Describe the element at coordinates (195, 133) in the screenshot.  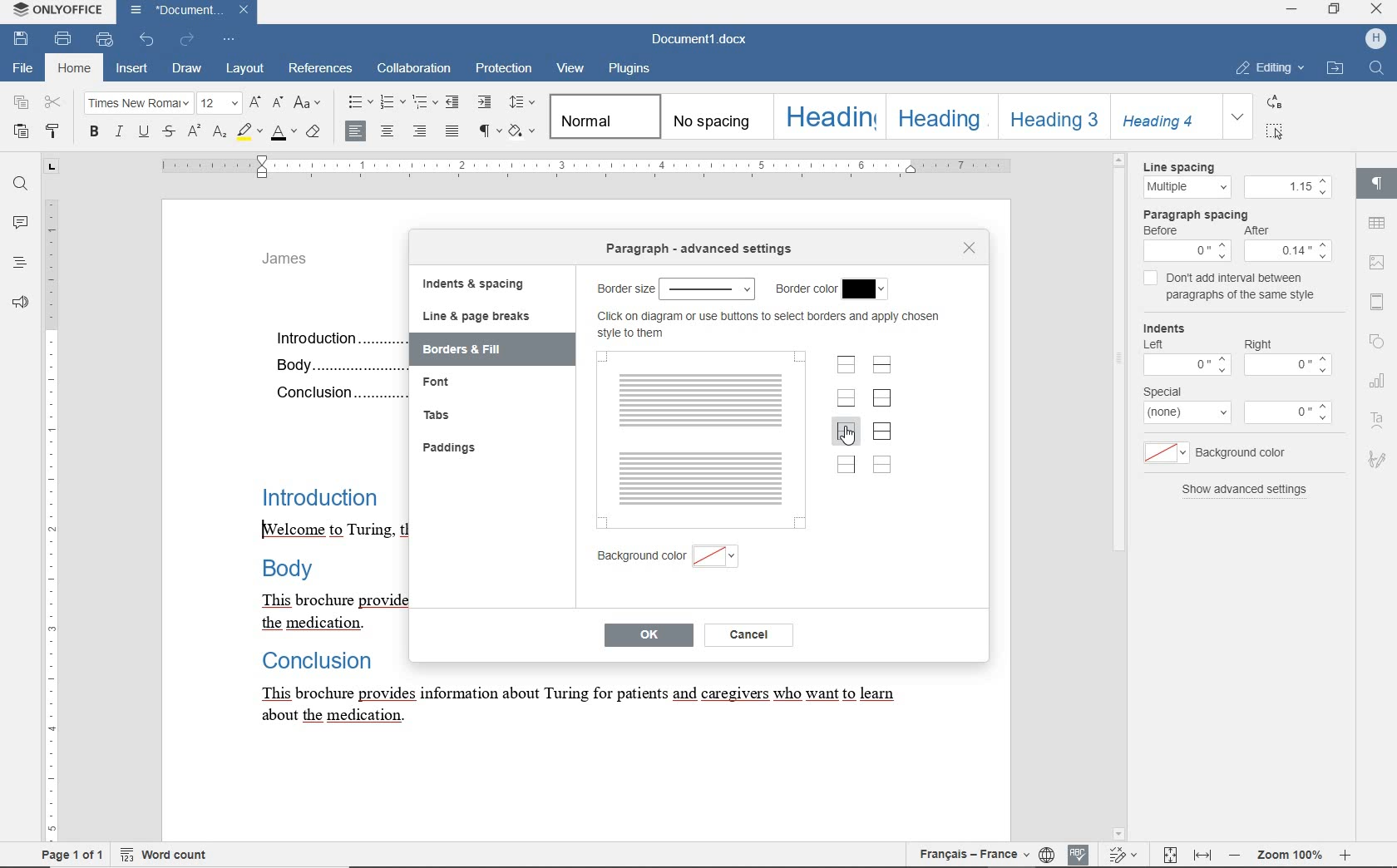
I see `superscript` at that location.